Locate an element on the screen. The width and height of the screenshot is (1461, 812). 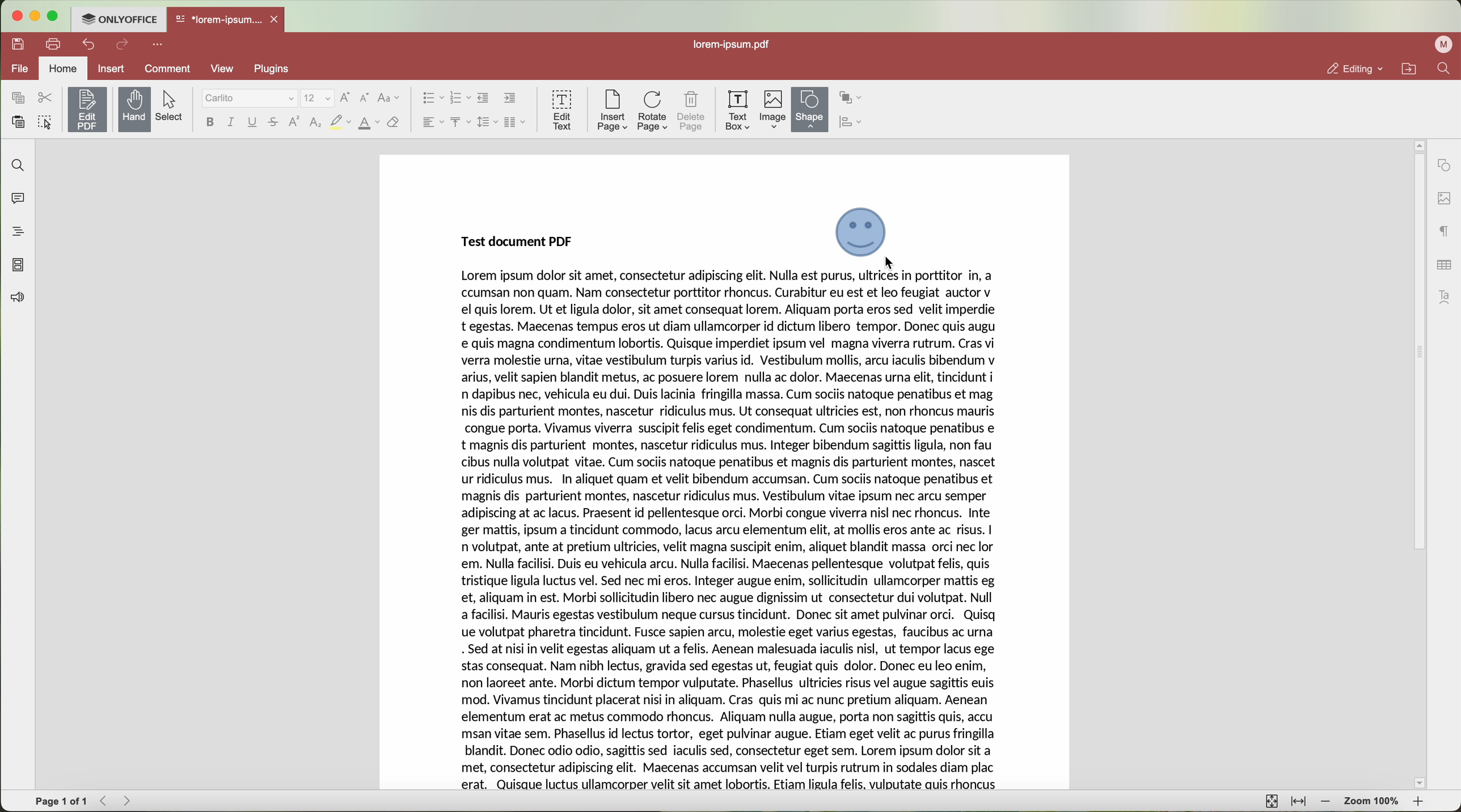
edit text is located at coordinates (561, 109).